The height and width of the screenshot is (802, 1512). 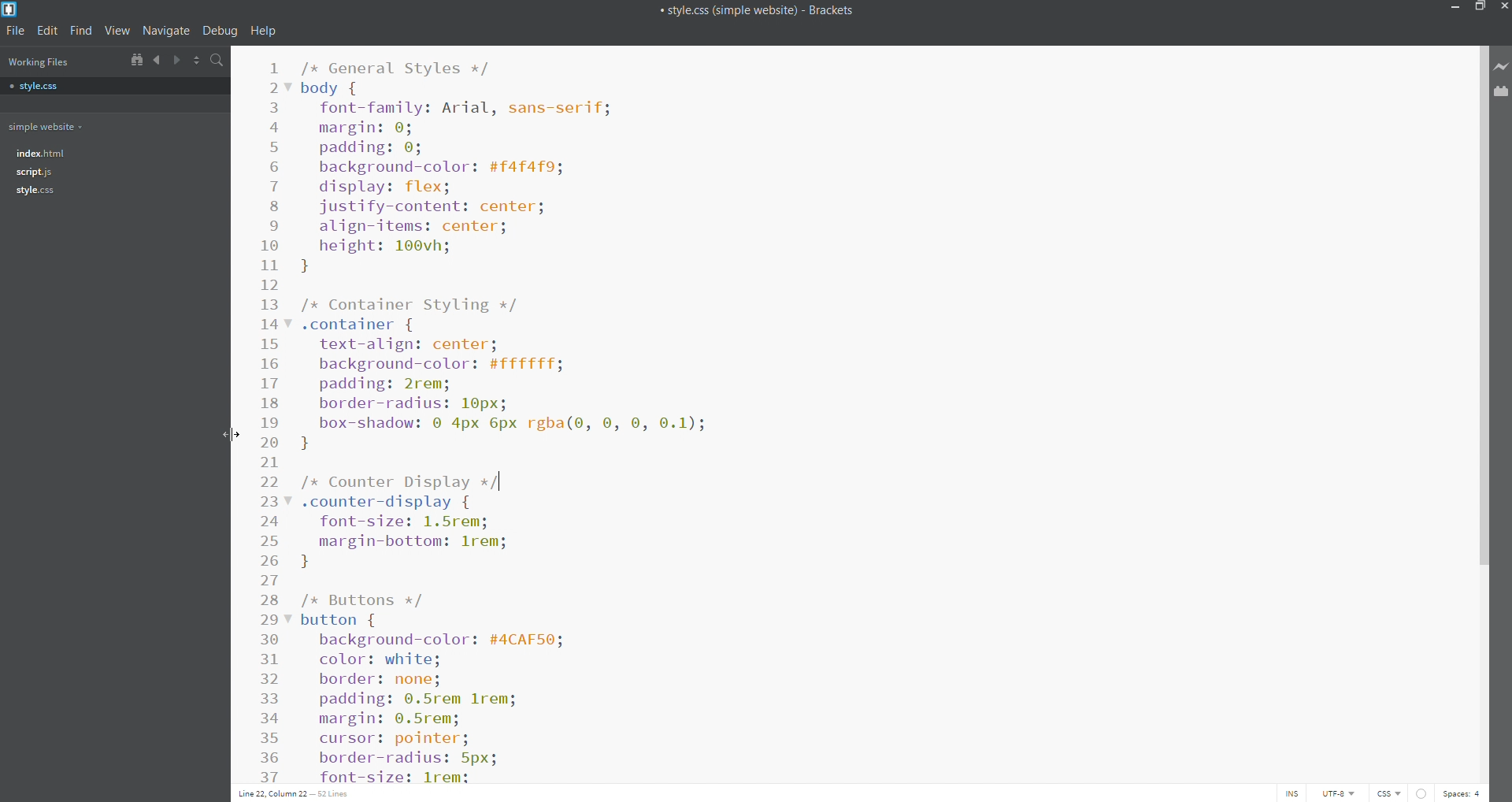 What do you see at coordinates (35, 173) in the screenshot?
I see `file tree- script.js` at bounding box center [35, 173].